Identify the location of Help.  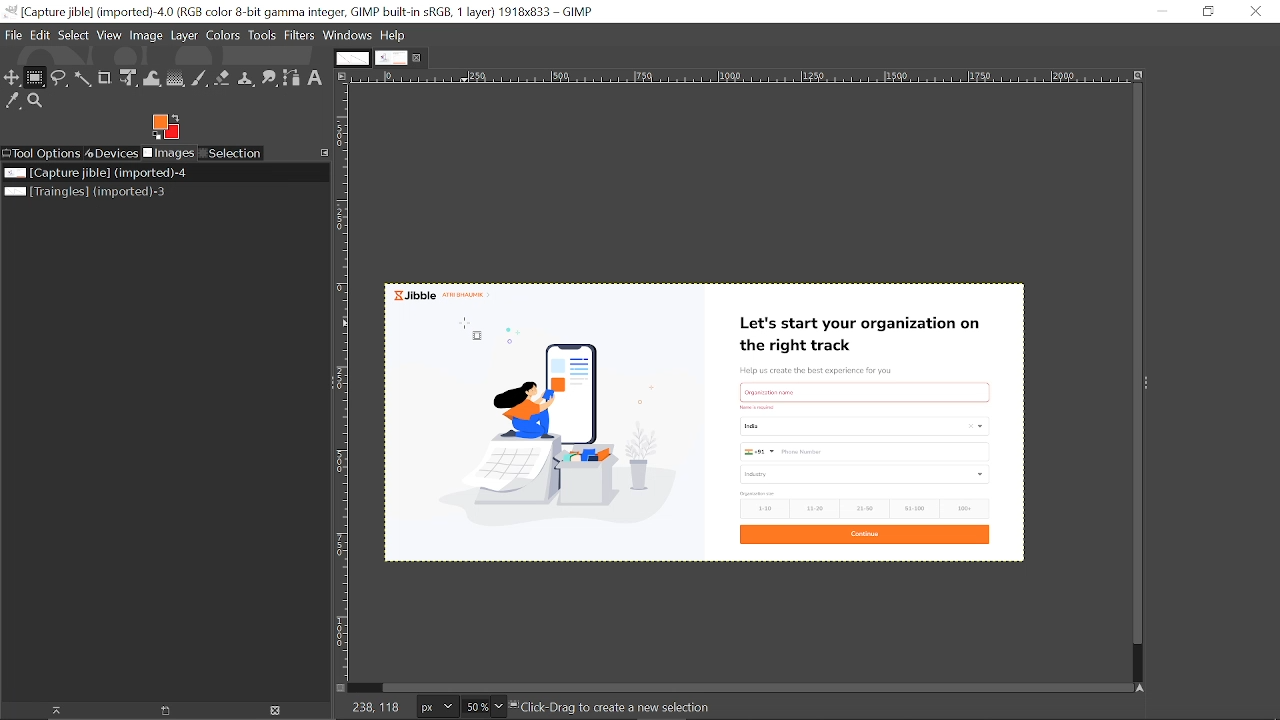
(394, 35).